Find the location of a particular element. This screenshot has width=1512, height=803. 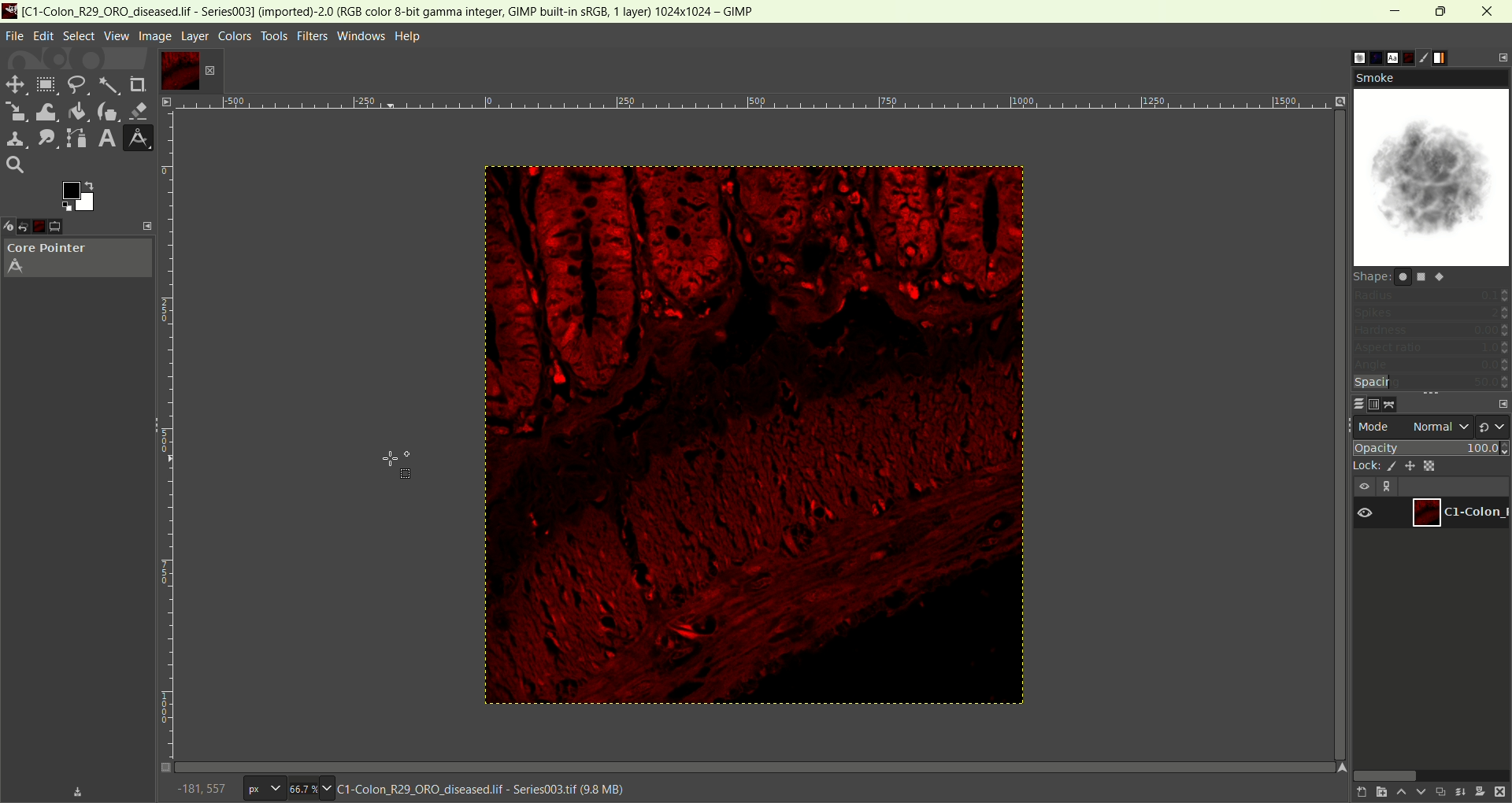

switch to another group of mode is located at coordinates (1494, 426).